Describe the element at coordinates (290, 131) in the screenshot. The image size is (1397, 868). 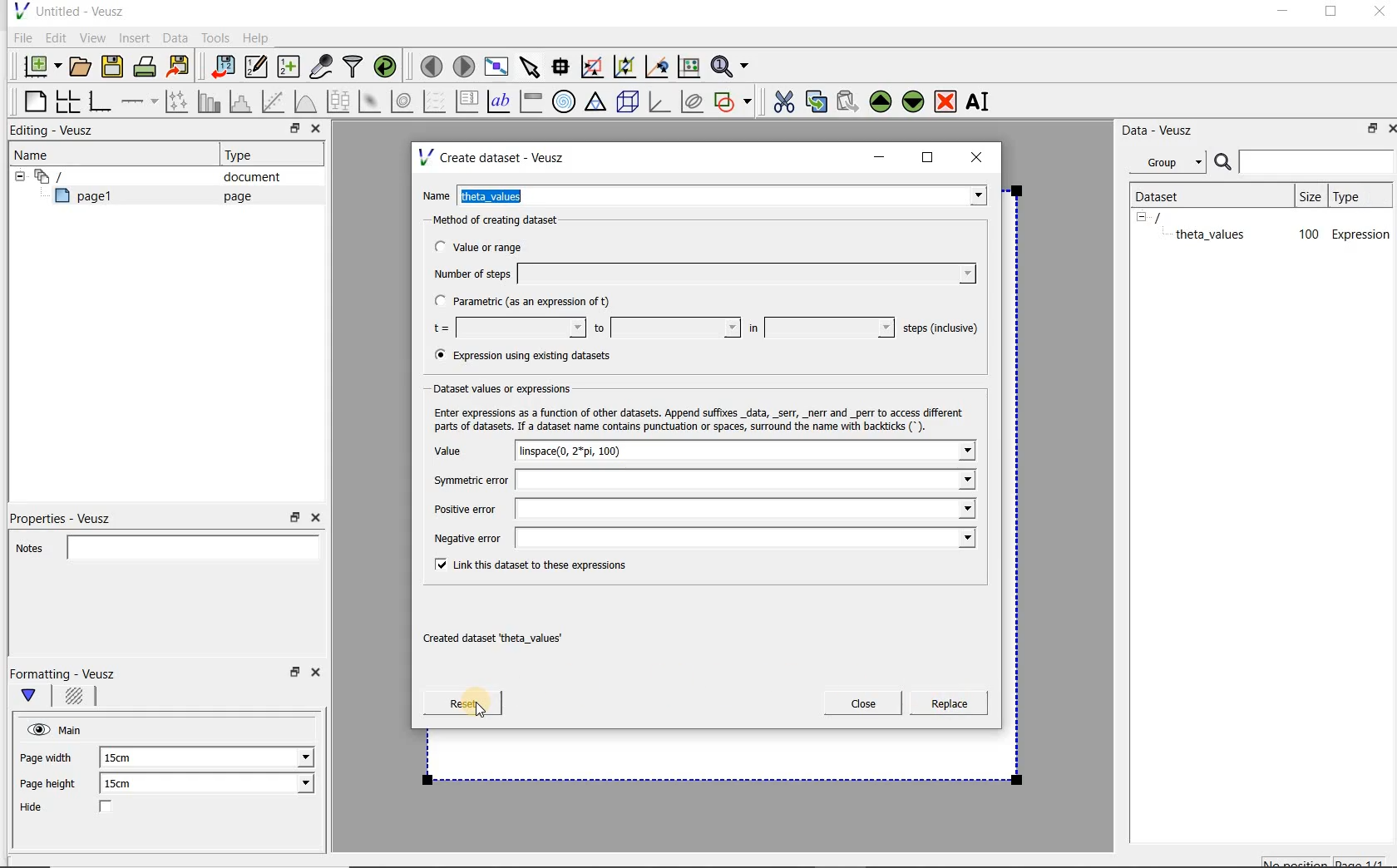
I see `restore down` at that location.